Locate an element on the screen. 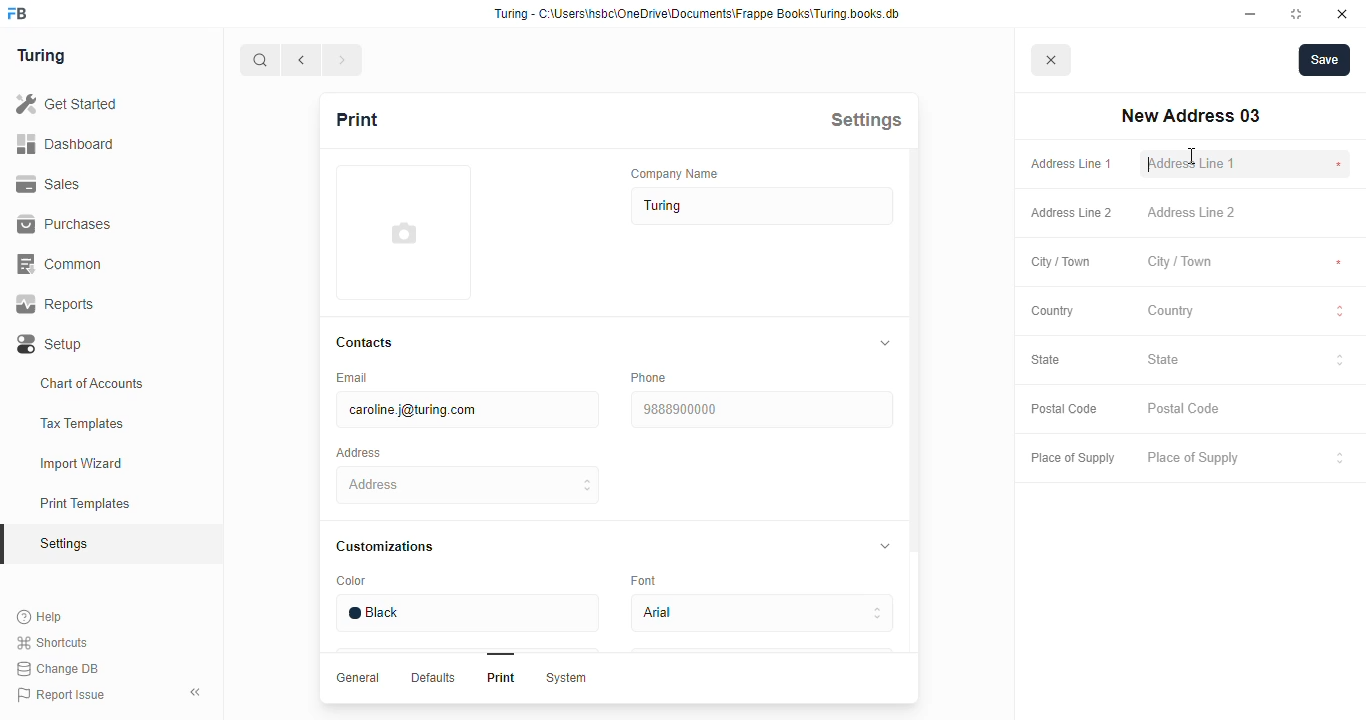 This screenshot has height=720, width=1366. print is located at coordinates (356, 119).